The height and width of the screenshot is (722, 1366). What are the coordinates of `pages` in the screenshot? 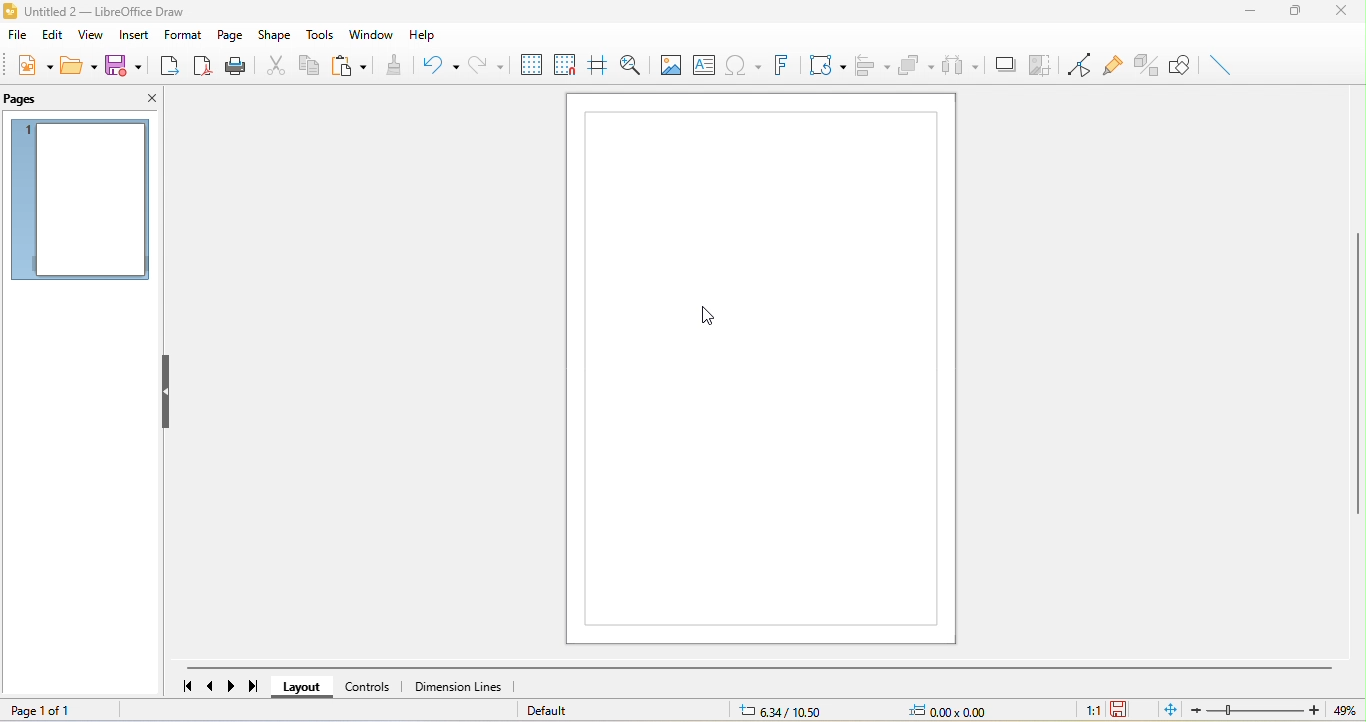 It's located at (45, 100).